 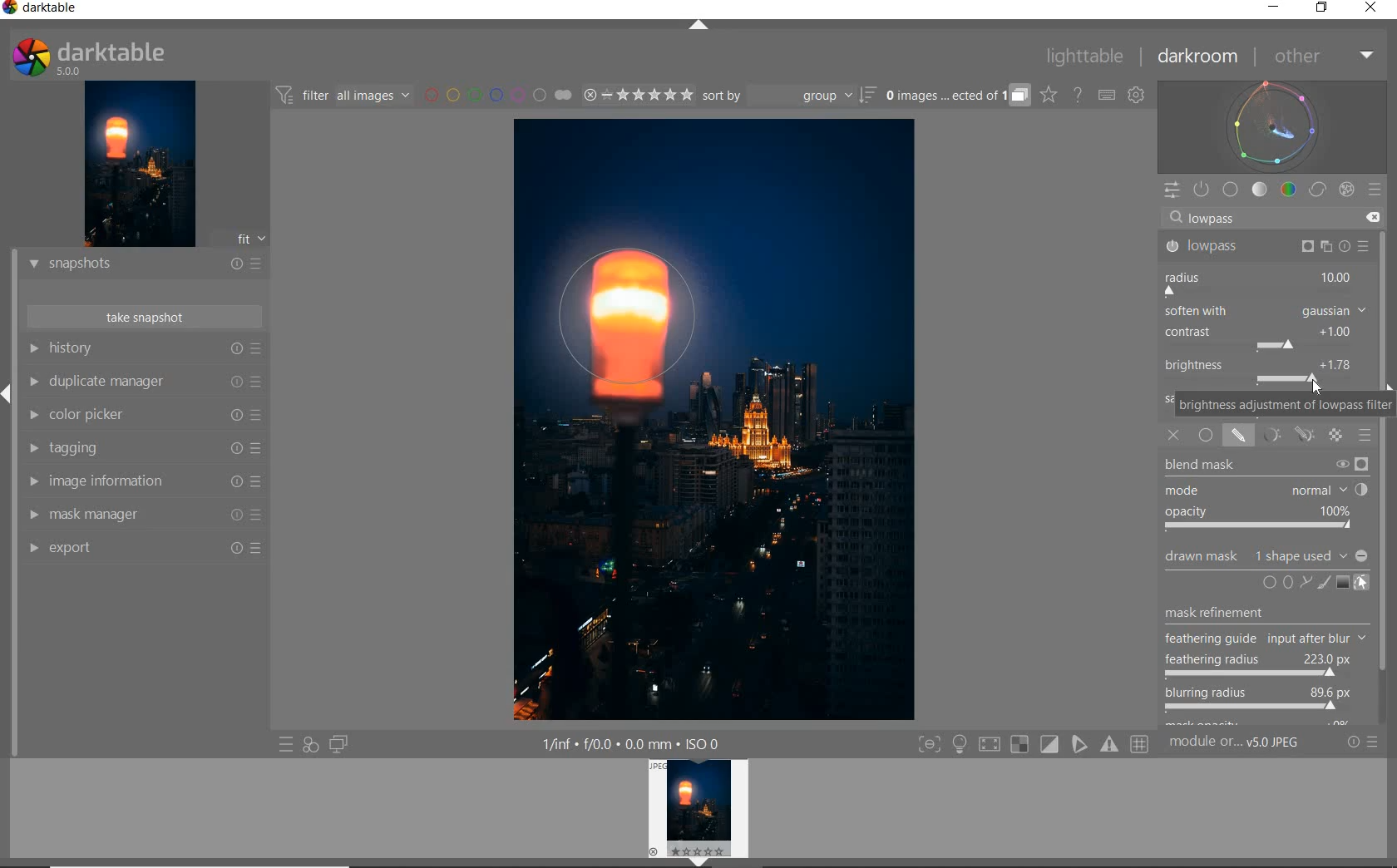 What do you see at coordinates (1087, 55) in the screenshot?
I see `LIGHTTABLE` at bounding box center [1087, 55].